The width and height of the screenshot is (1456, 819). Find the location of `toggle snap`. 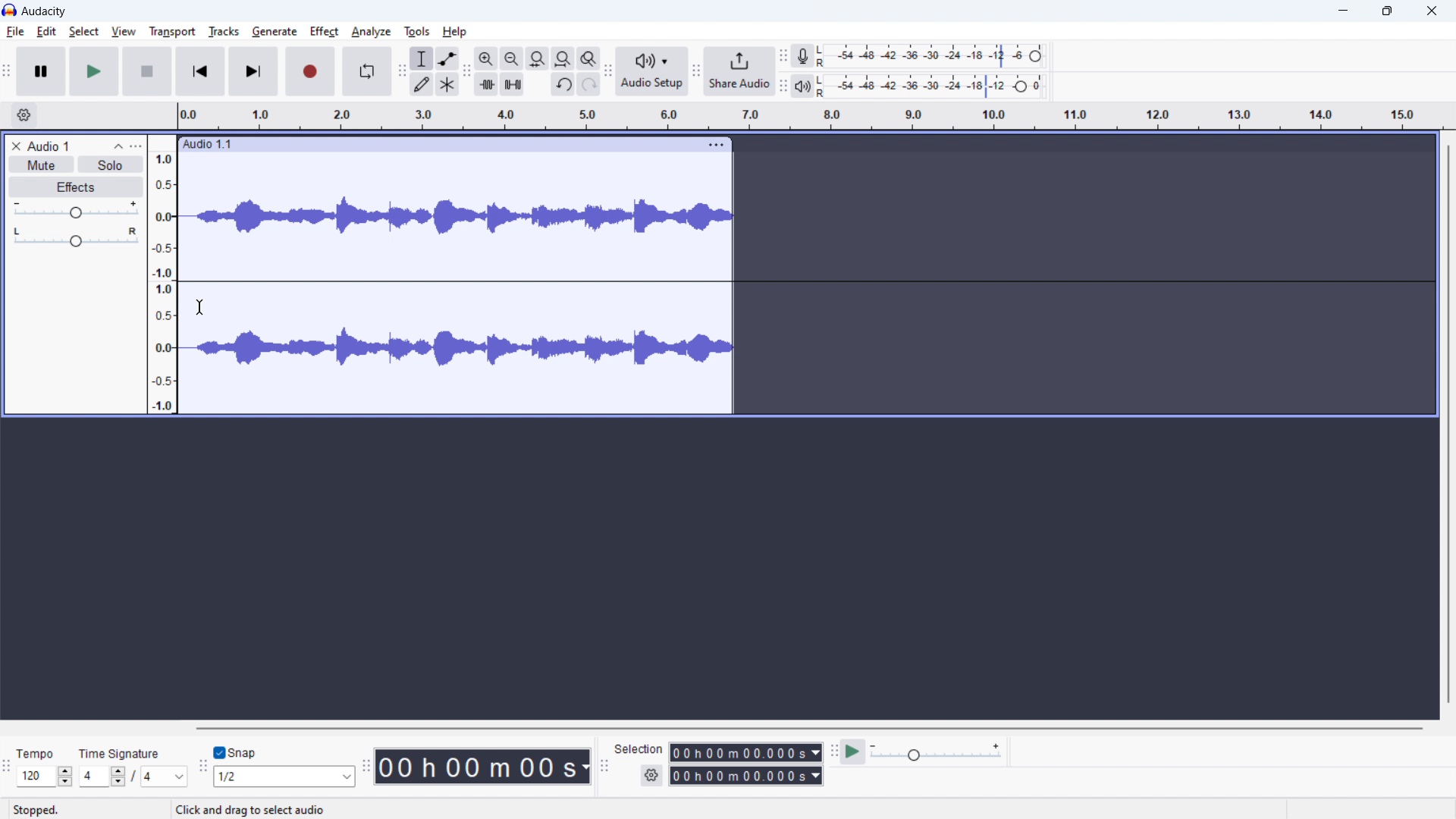

toggle snap is located at coordinates (240, 752).